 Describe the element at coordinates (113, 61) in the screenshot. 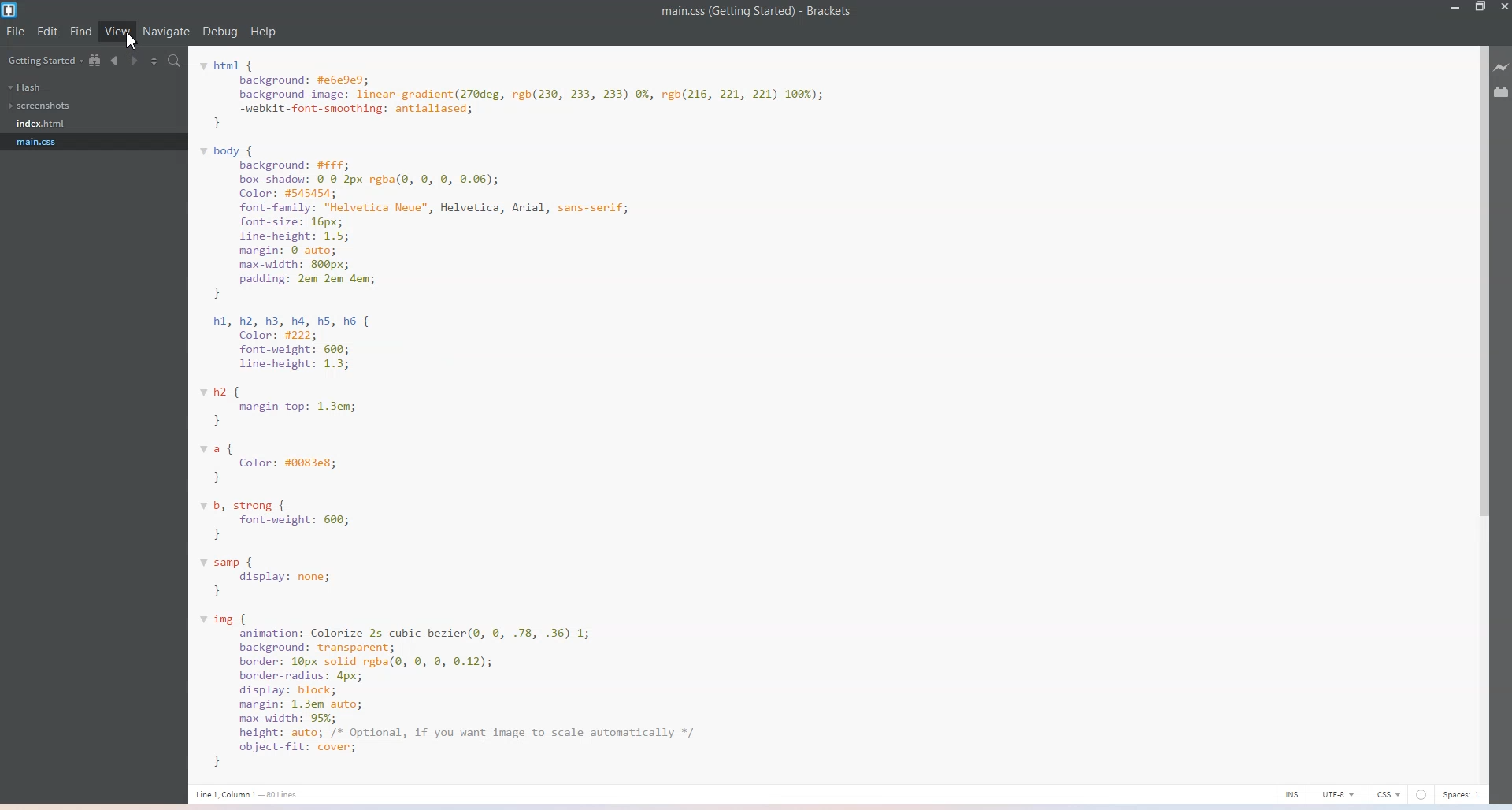

I see `Navigate Backwards` at that location.